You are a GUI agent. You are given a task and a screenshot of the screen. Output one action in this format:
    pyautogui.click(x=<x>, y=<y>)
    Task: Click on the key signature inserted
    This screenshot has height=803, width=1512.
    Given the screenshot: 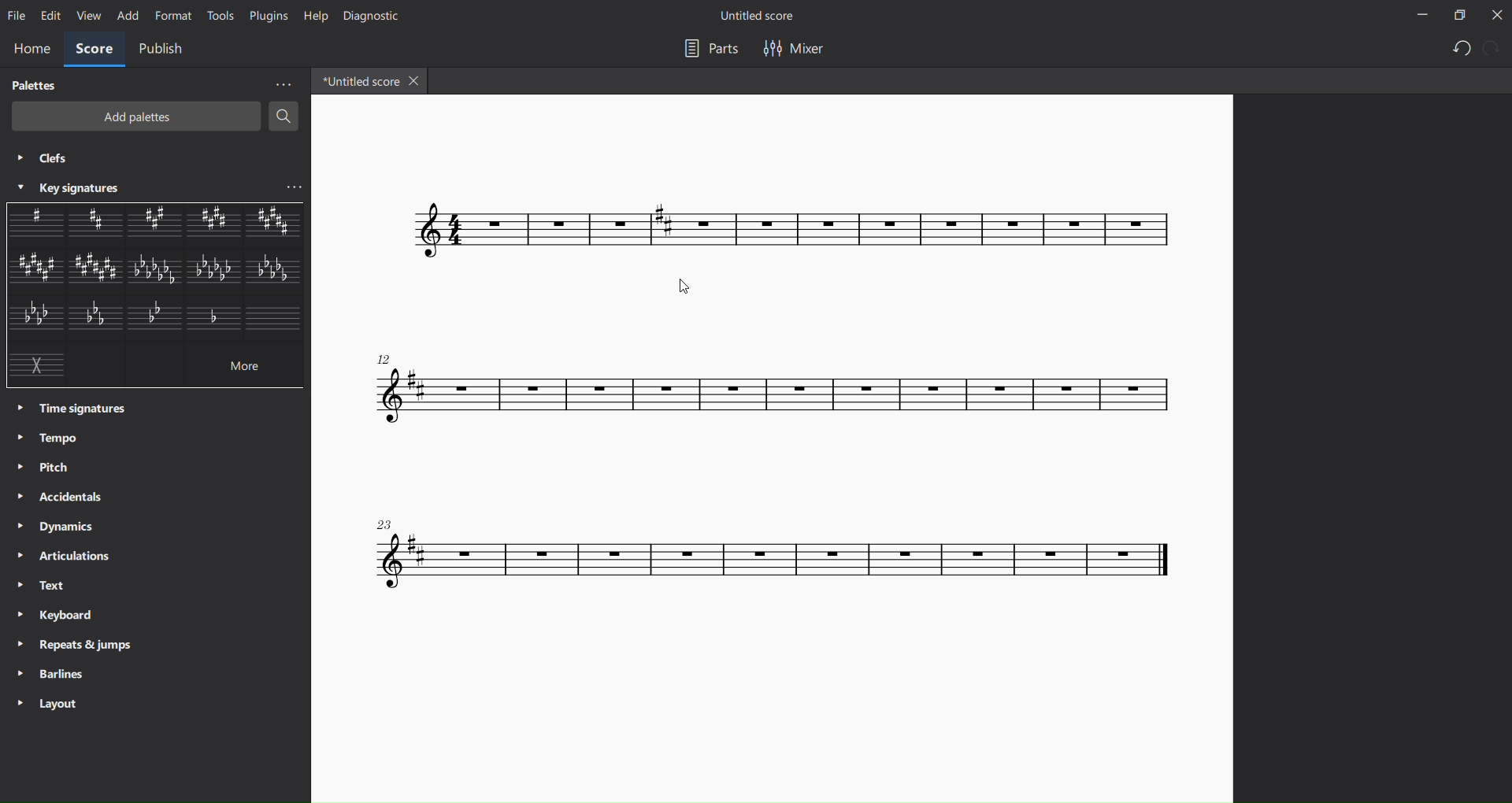 What is the action you would take?
    pyautogui.click(x=668, y=230)
    